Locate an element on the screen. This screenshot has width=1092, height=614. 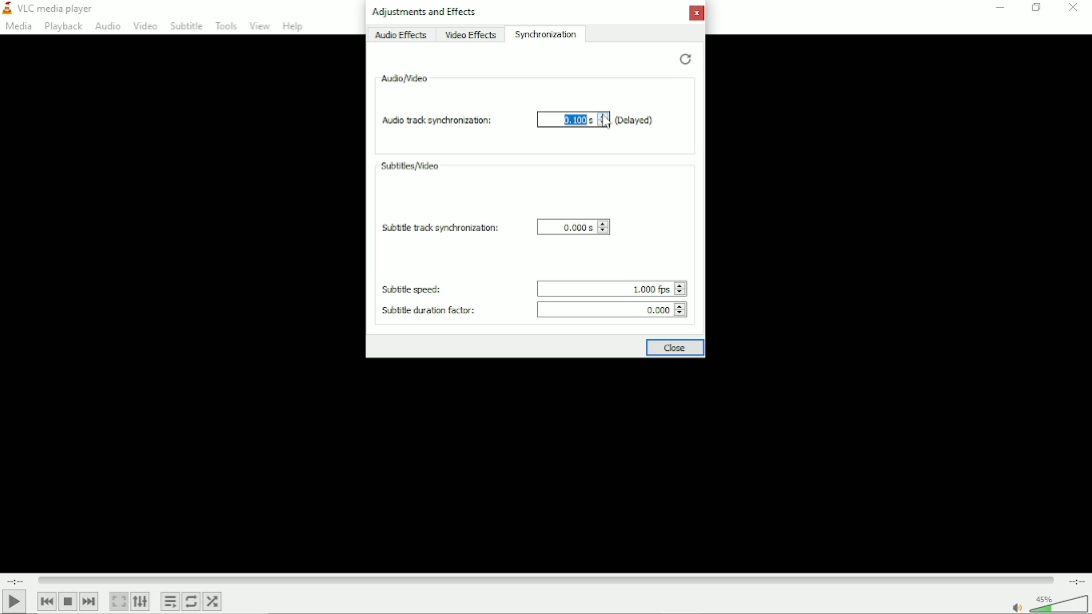
Media is located at coordinates (18, 27).